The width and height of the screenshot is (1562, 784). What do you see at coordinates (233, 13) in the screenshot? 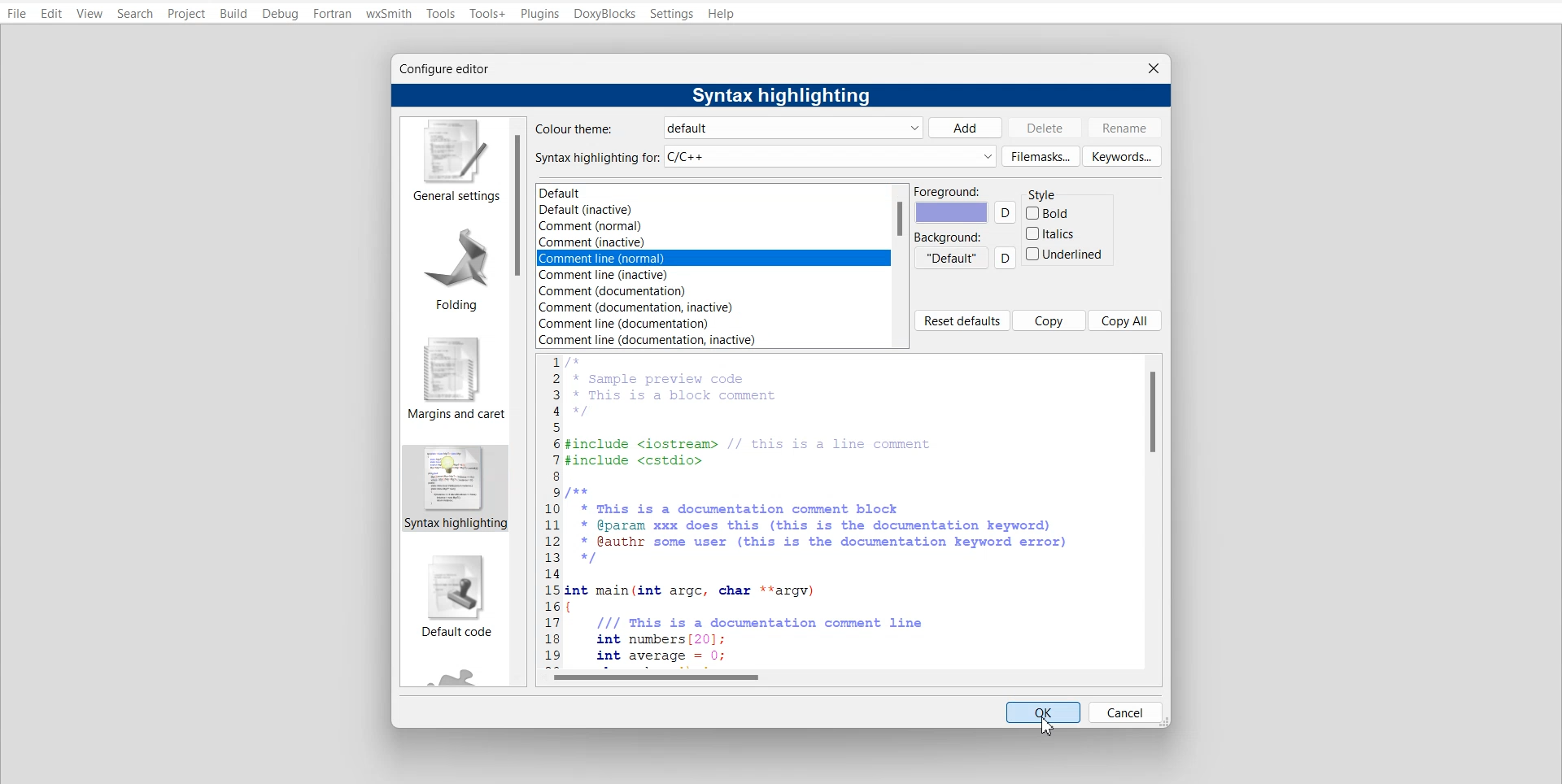
I see `Build` at bounding box center [233, 13].